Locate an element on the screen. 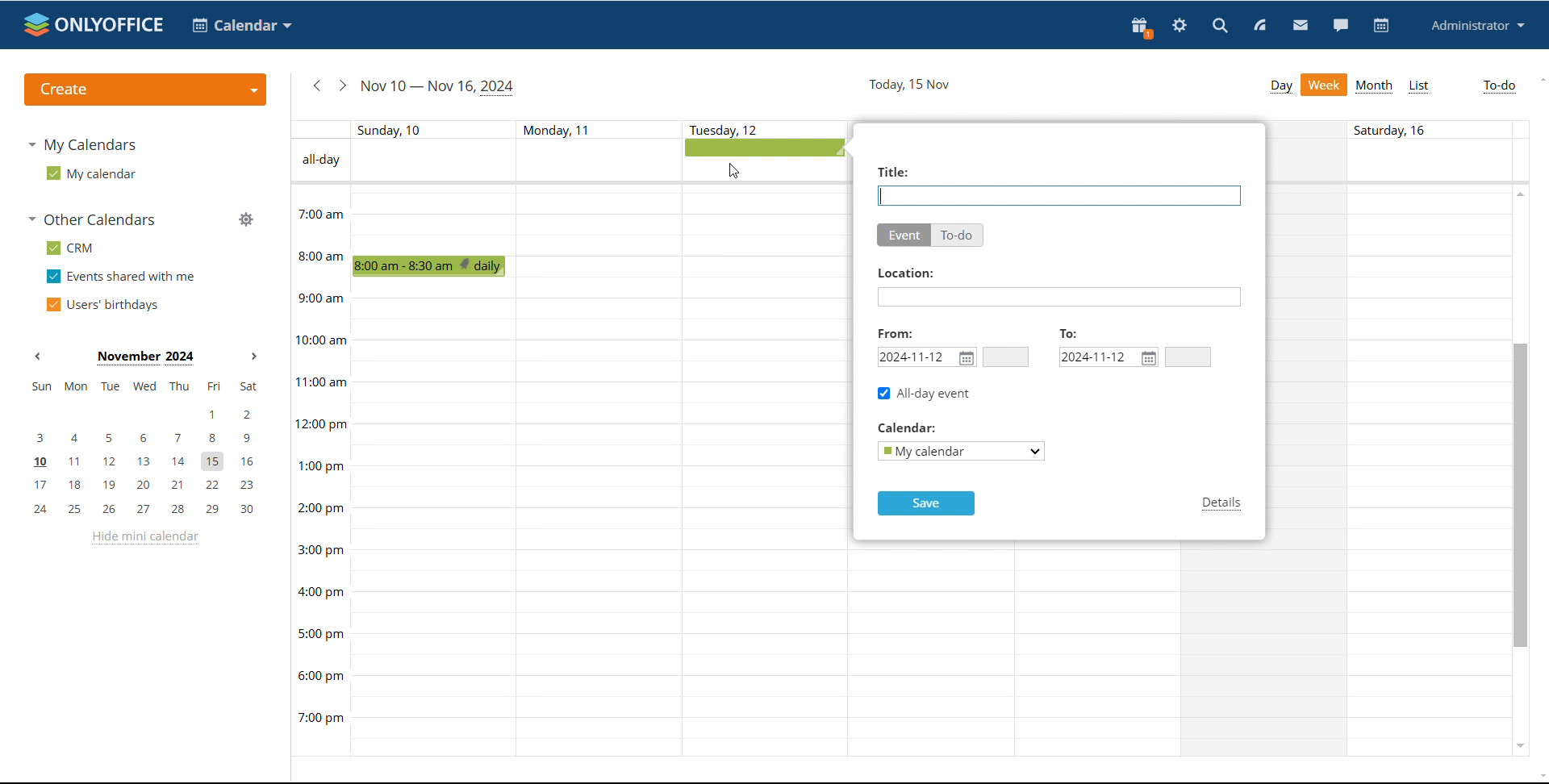  save is located at coordinates (927, 503).